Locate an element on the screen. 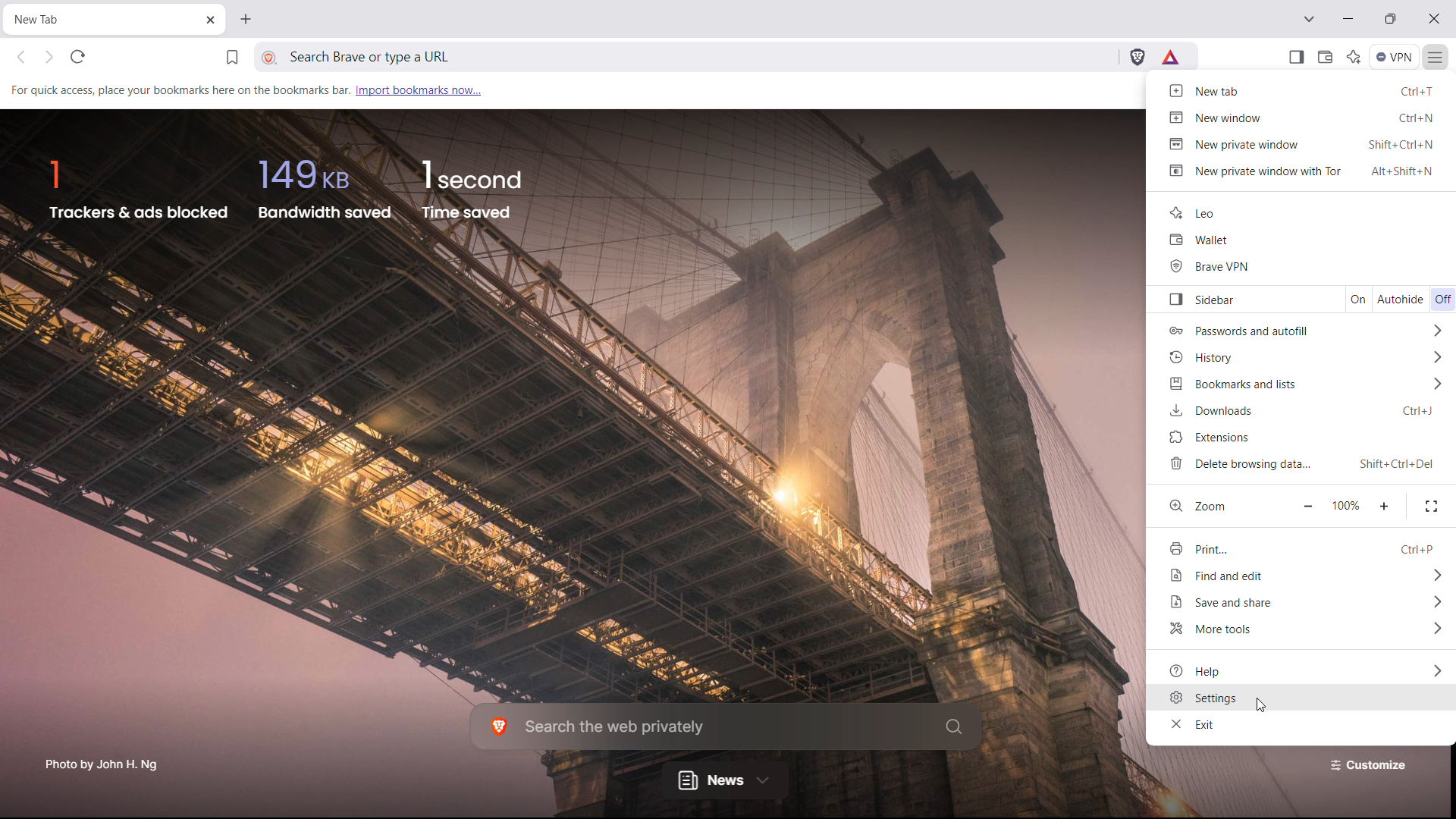 The image size is (1456, 819). search in the web privately is located at coordinates (727, 726).